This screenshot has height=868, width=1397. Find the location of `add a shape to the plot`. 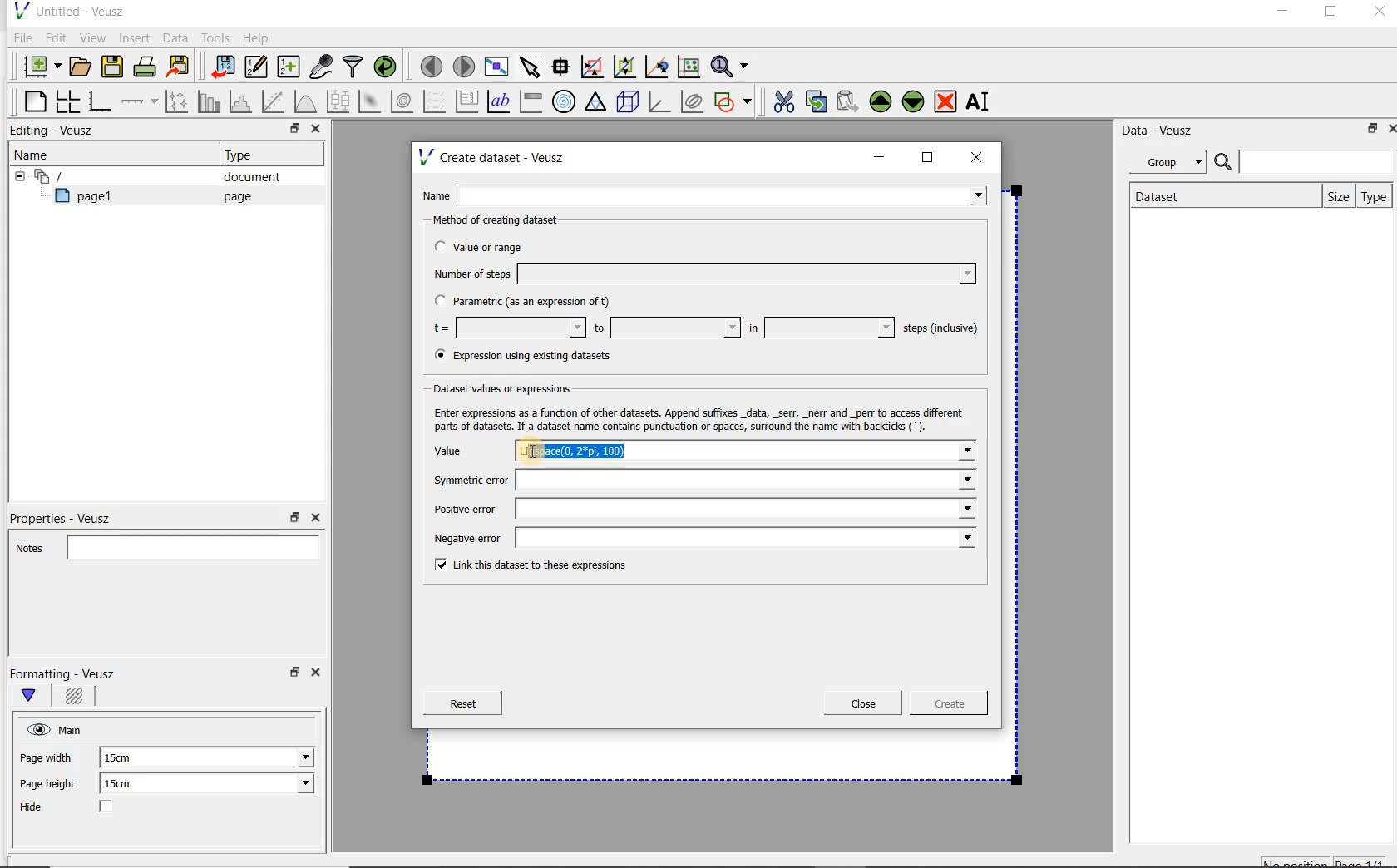

add a shape to the plot is located at coordinates (734, 100).